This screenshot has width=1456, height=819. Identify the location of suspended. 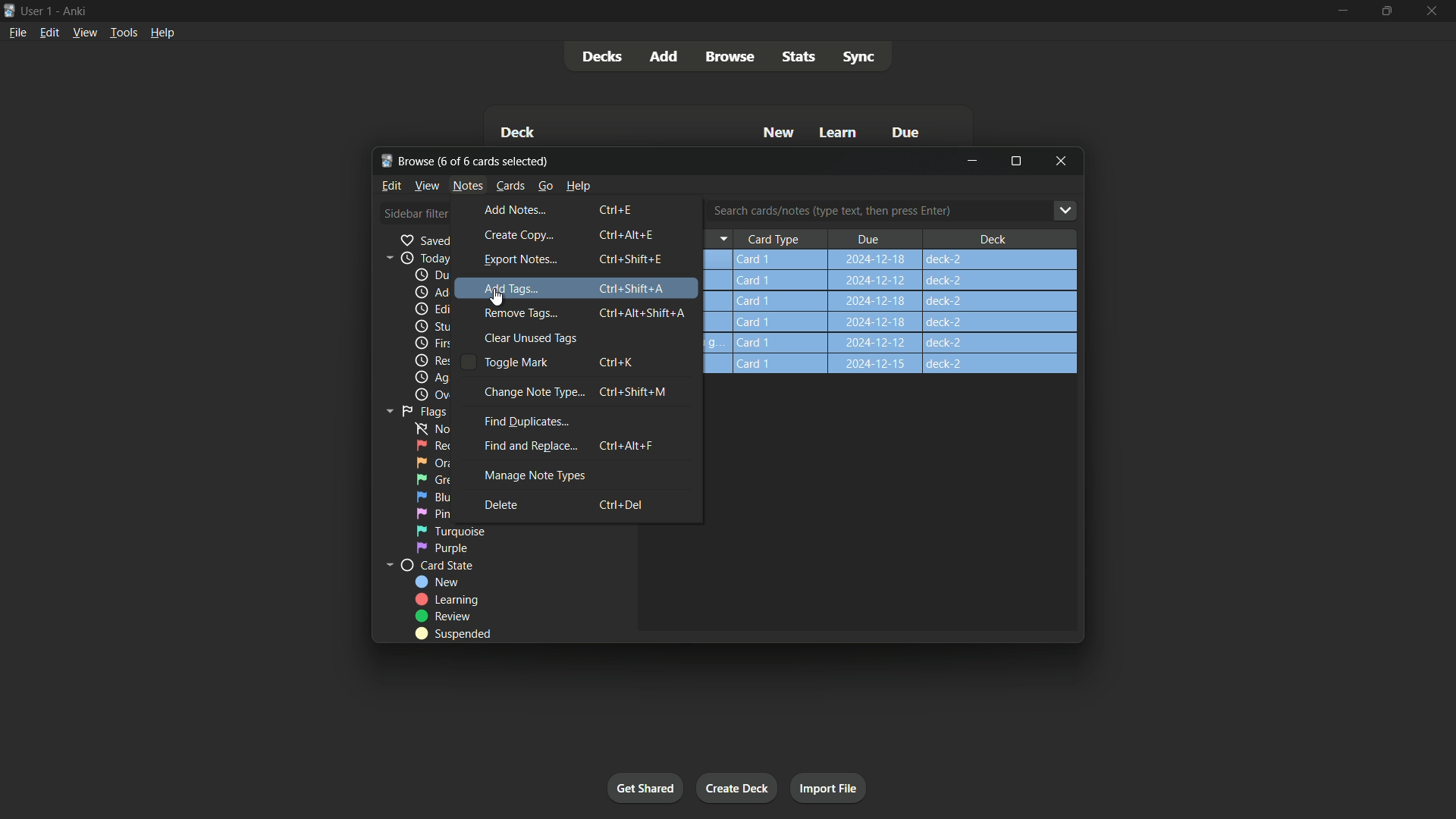
(459, 635).